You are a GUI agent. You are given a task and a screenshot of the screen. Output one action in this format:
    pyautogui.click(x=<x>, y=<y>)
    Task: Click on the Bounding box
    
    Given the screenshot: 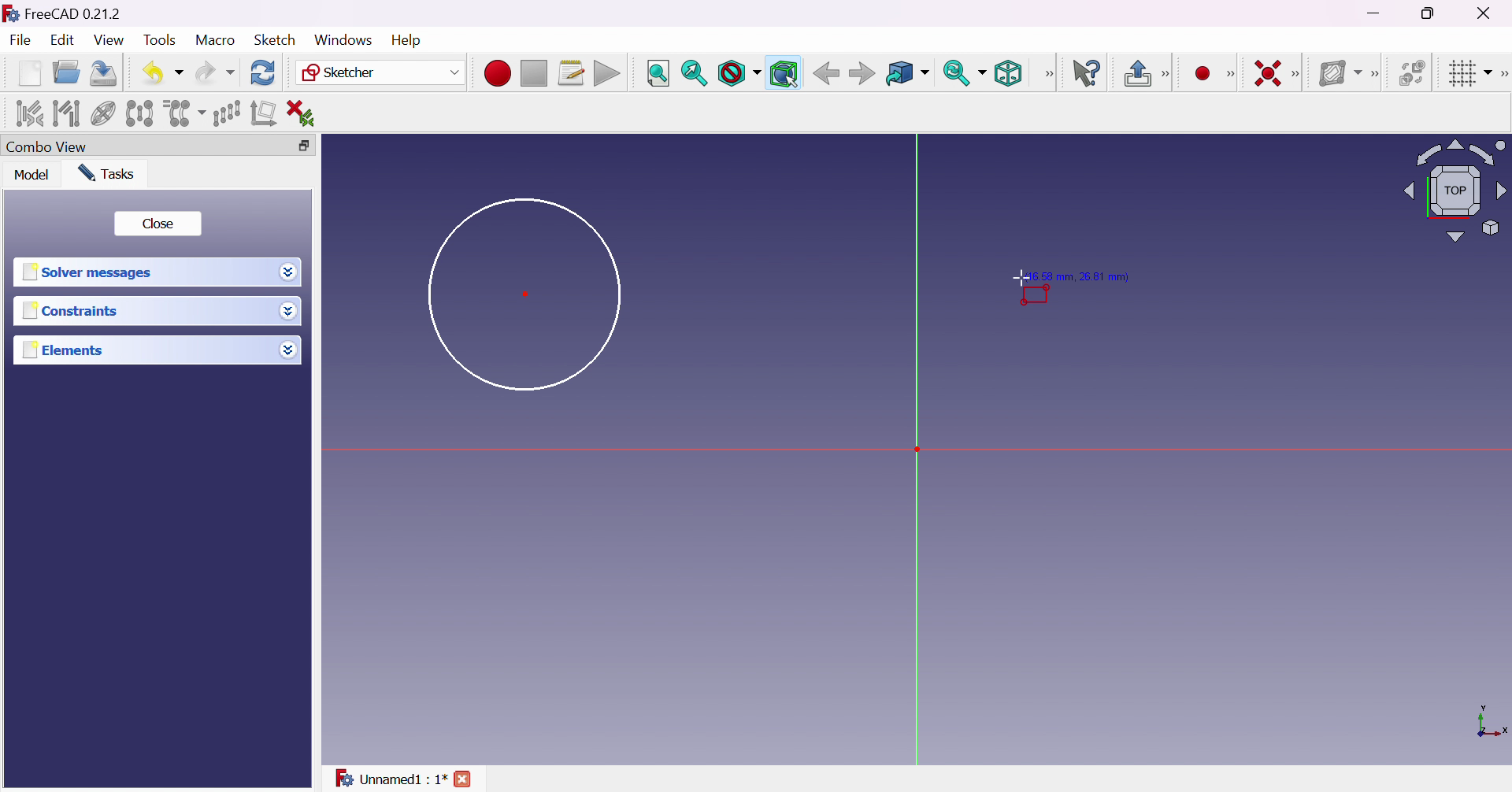 What is the action you would take?
    pyautogui.click(x=785, y=74)
    